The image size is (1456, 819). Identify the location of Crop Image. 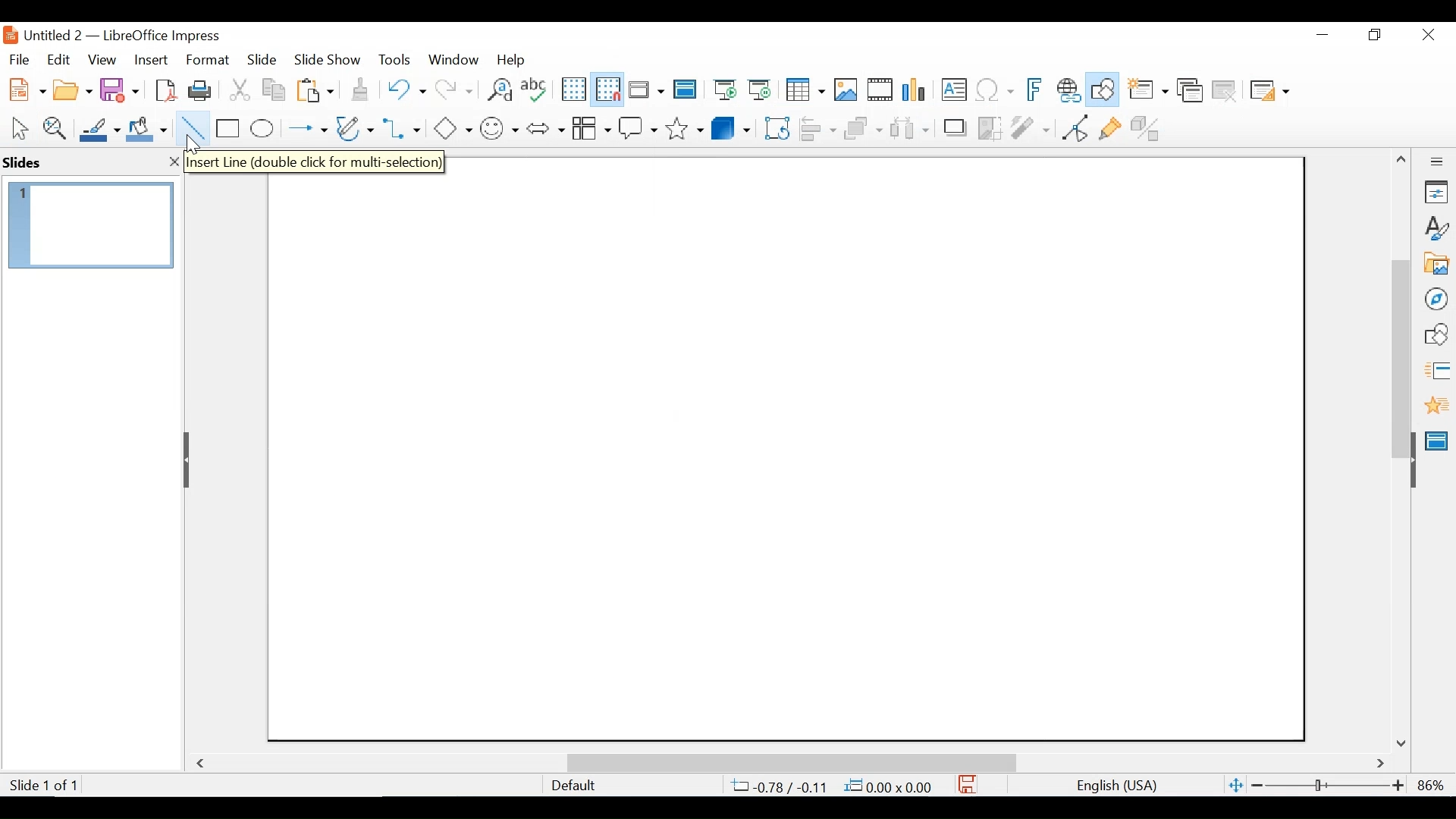
(990, 127).